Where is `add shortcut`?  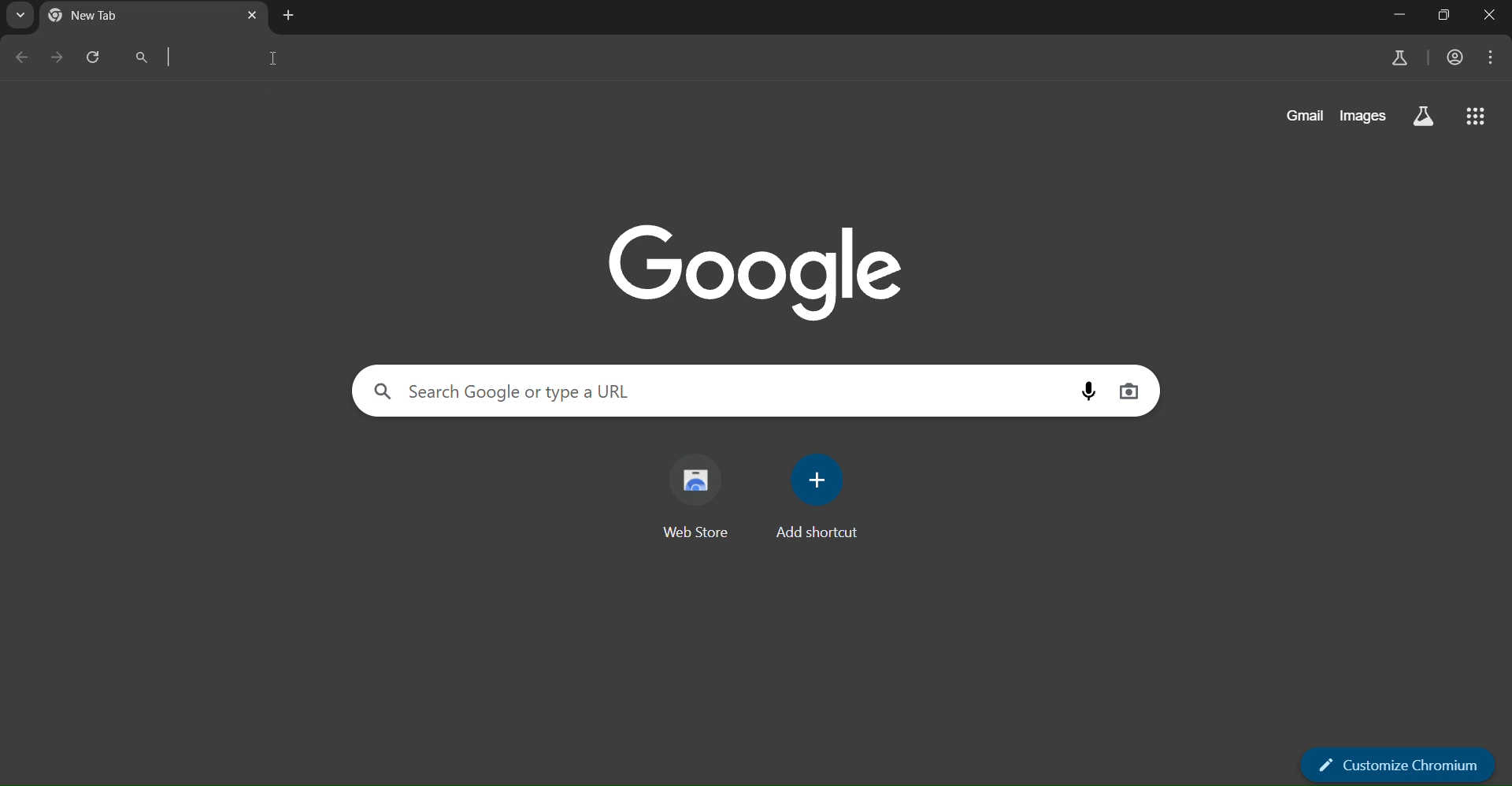 add shortcut is located at coordinates (821, 502).